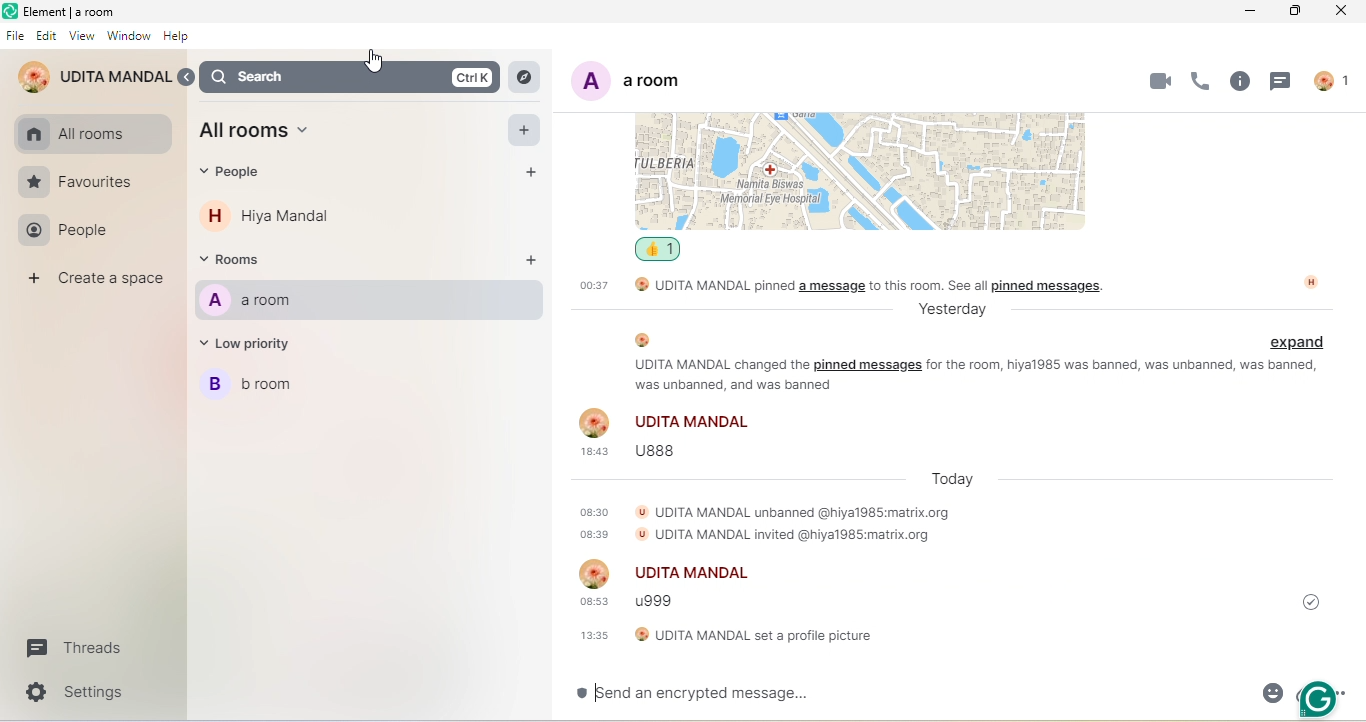 The width and height of the screenshot is (1366, 722). I want to click on Add All Rooms, so click(527, 132).